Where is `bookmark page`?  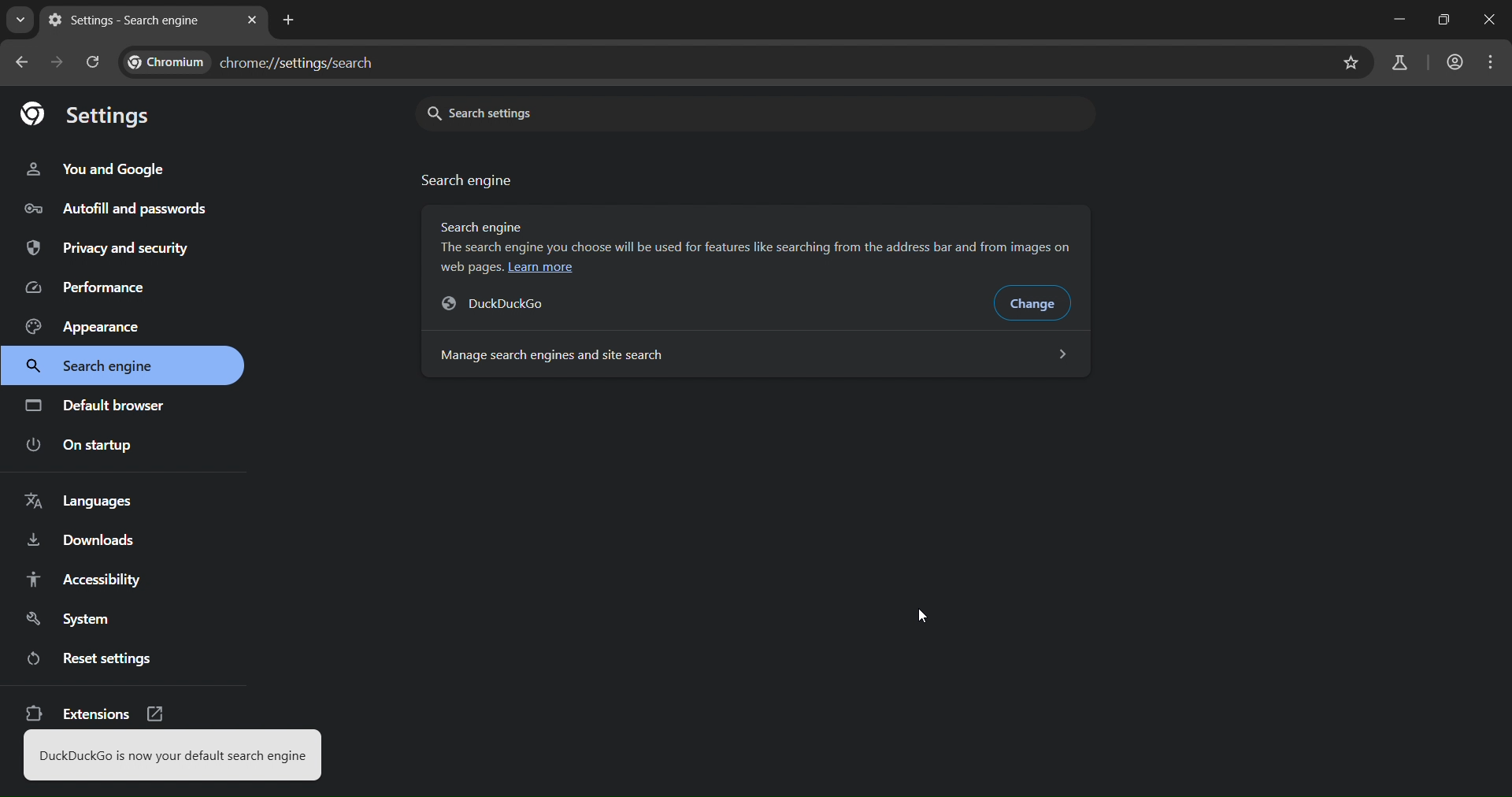 bookmark page is located at coordinates (1352, 62).